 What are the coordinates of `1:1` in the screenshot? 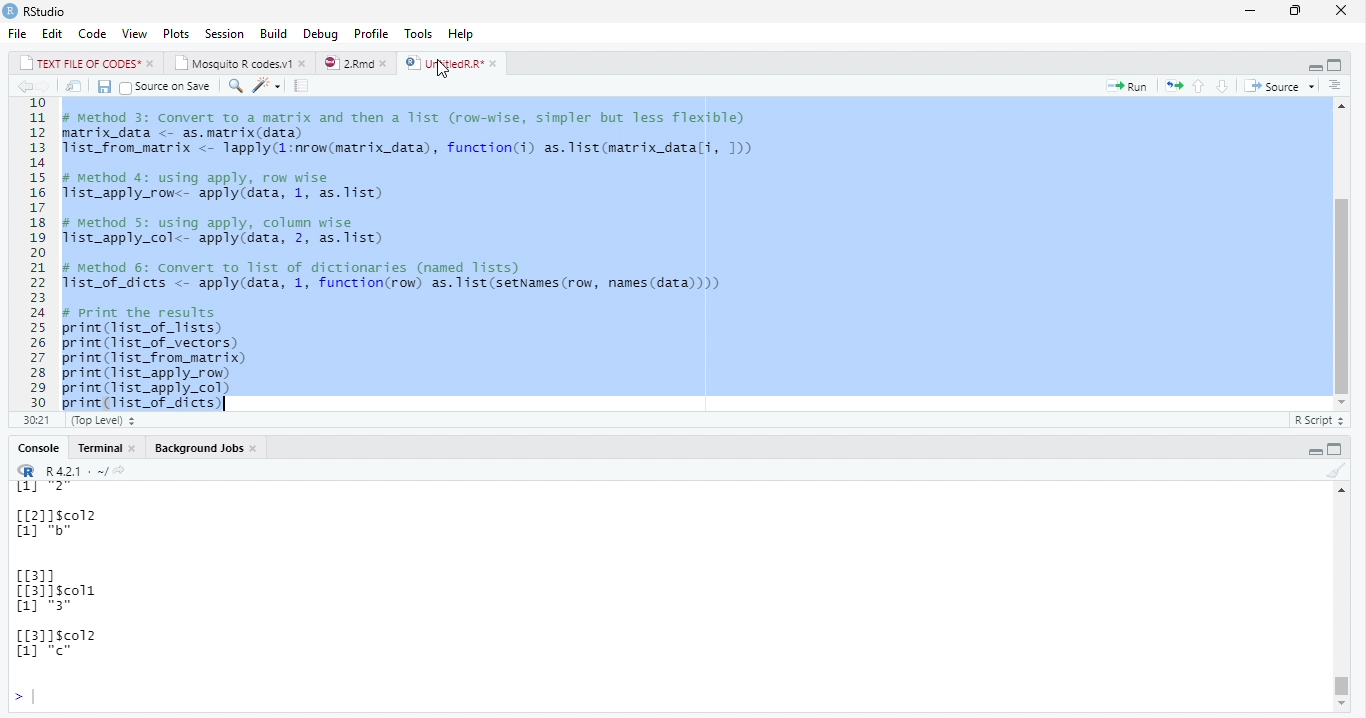 It's located at (34, 419).